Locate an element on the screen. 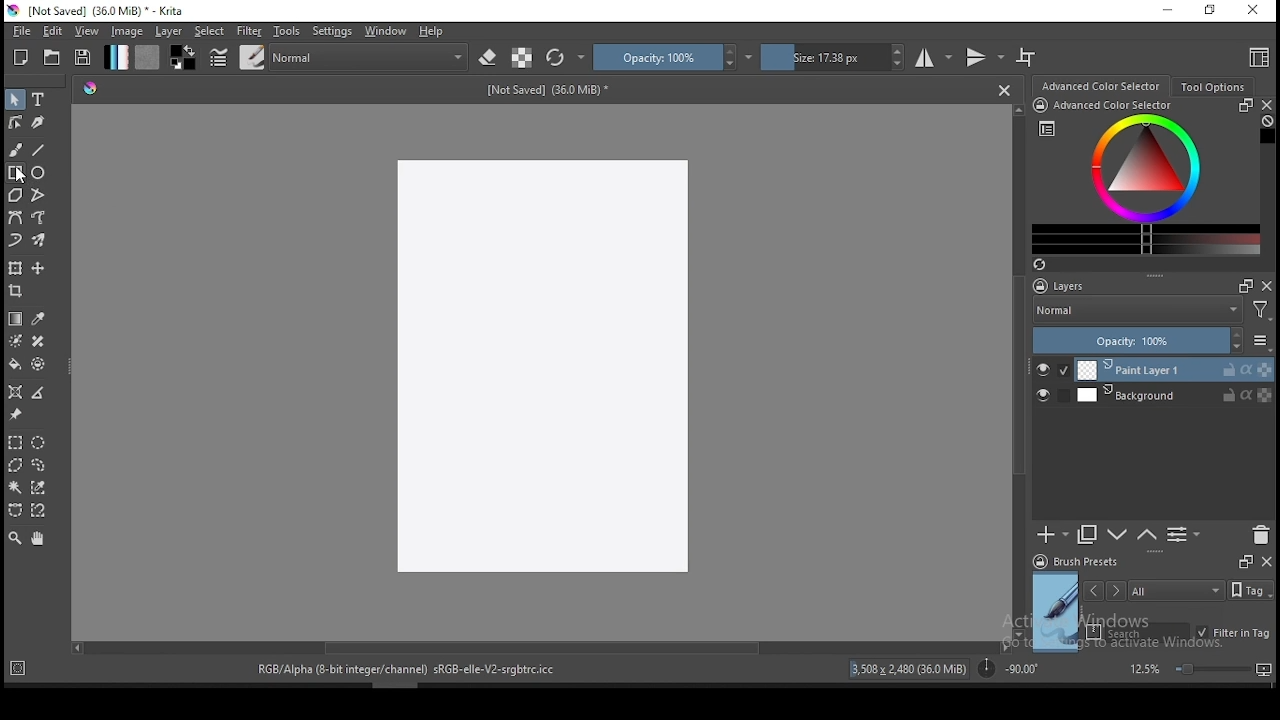  layer visibility on/off is located at coordinates (1048, 397).